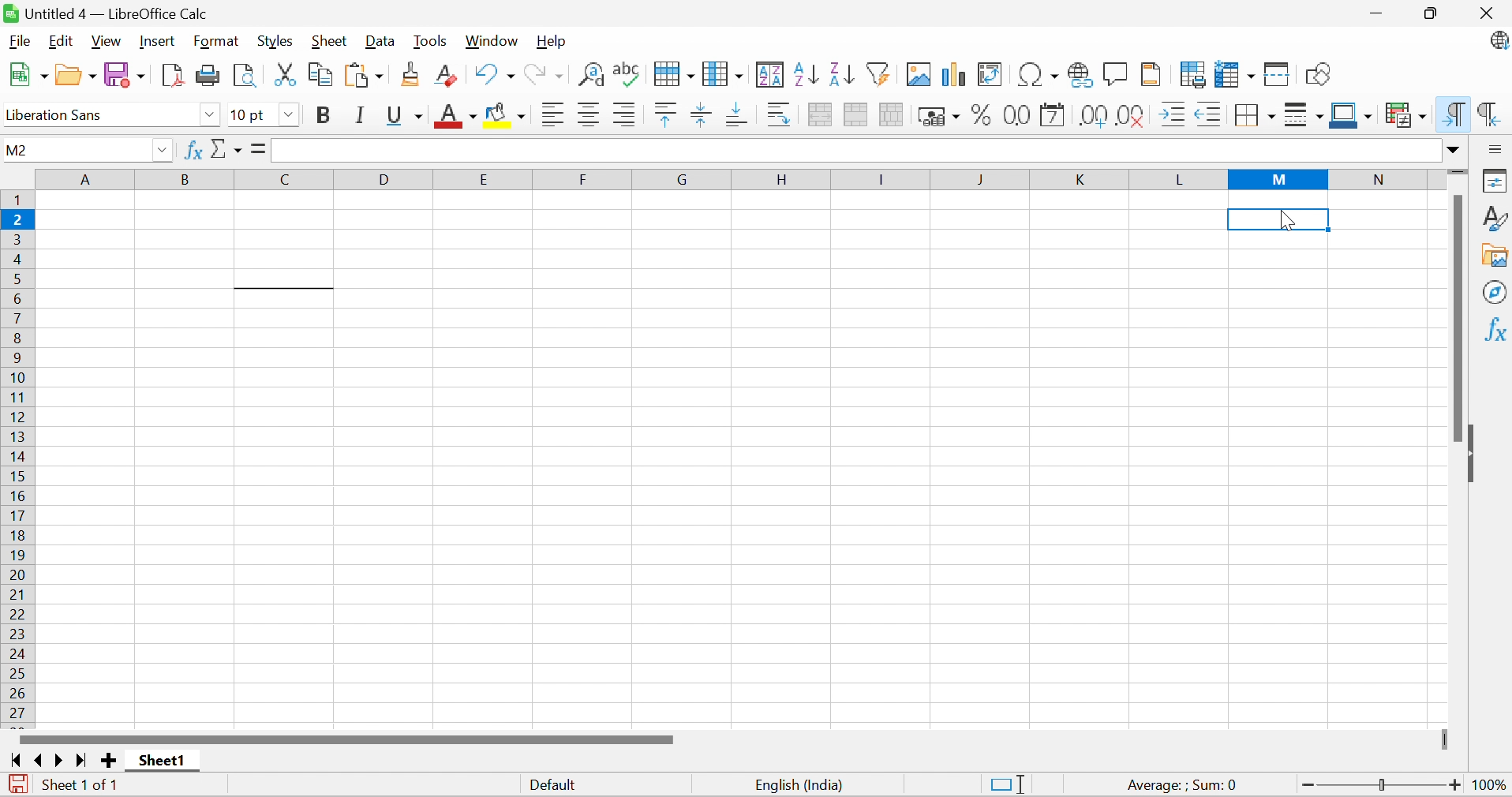  I want to click on Conditional, so click(1407, 115).